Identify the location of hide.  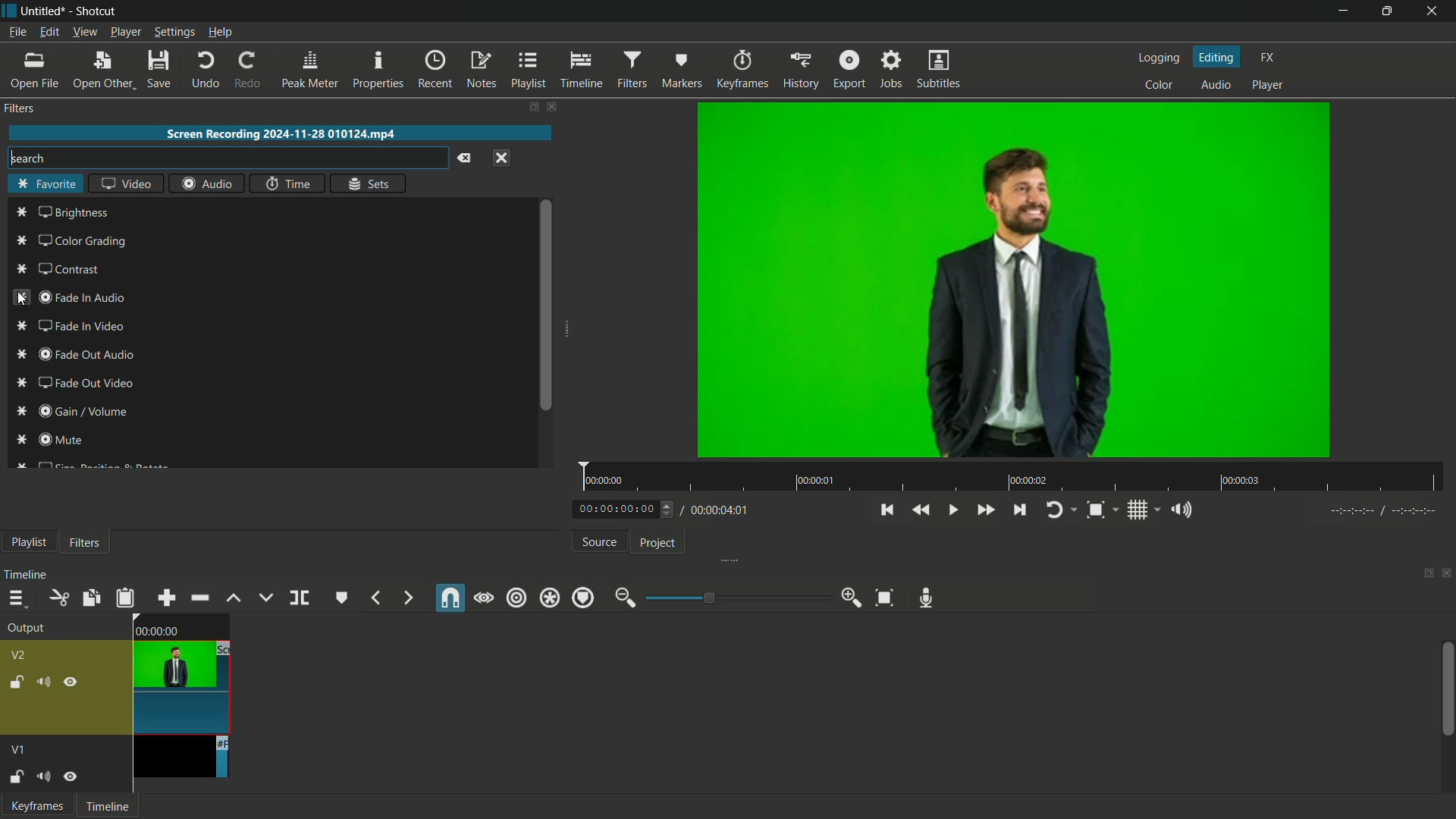
(71, 682).